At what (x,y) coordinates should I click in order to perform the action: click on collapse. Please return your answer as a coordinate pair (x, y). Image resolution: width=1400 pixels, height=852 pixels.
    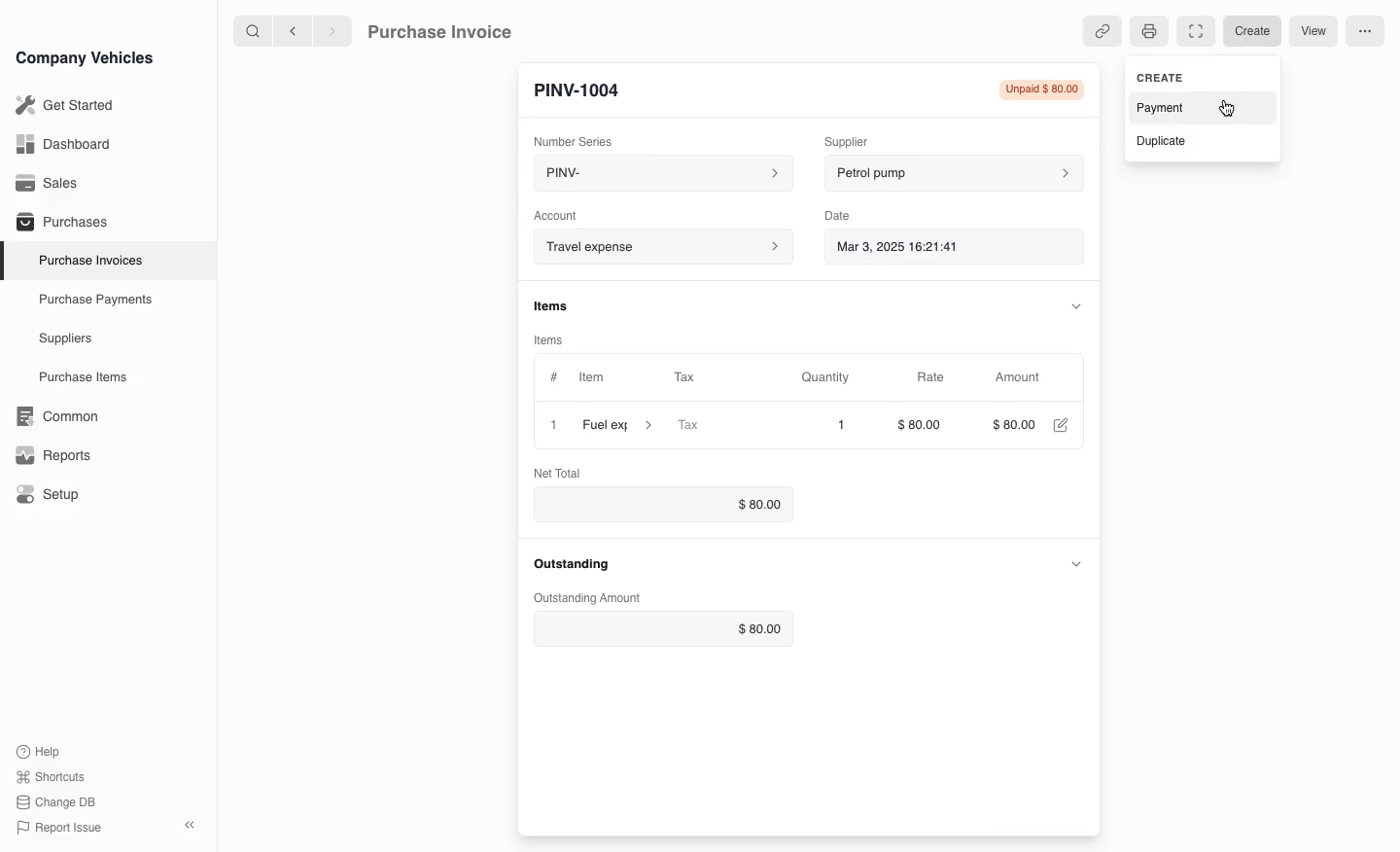
    Looking at the image, I should click on (1077, 304).